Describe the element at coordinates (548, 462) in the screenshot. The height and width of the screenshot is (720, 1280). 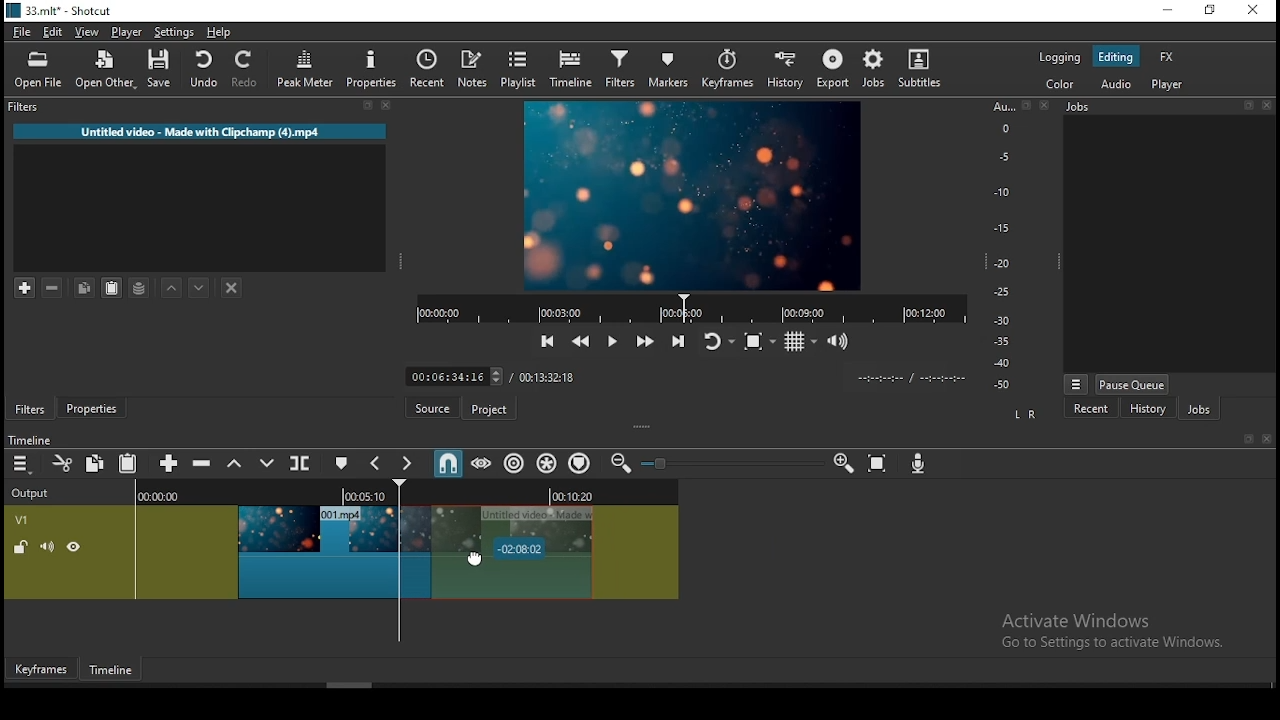
I see `ripple all tracks` at that location.